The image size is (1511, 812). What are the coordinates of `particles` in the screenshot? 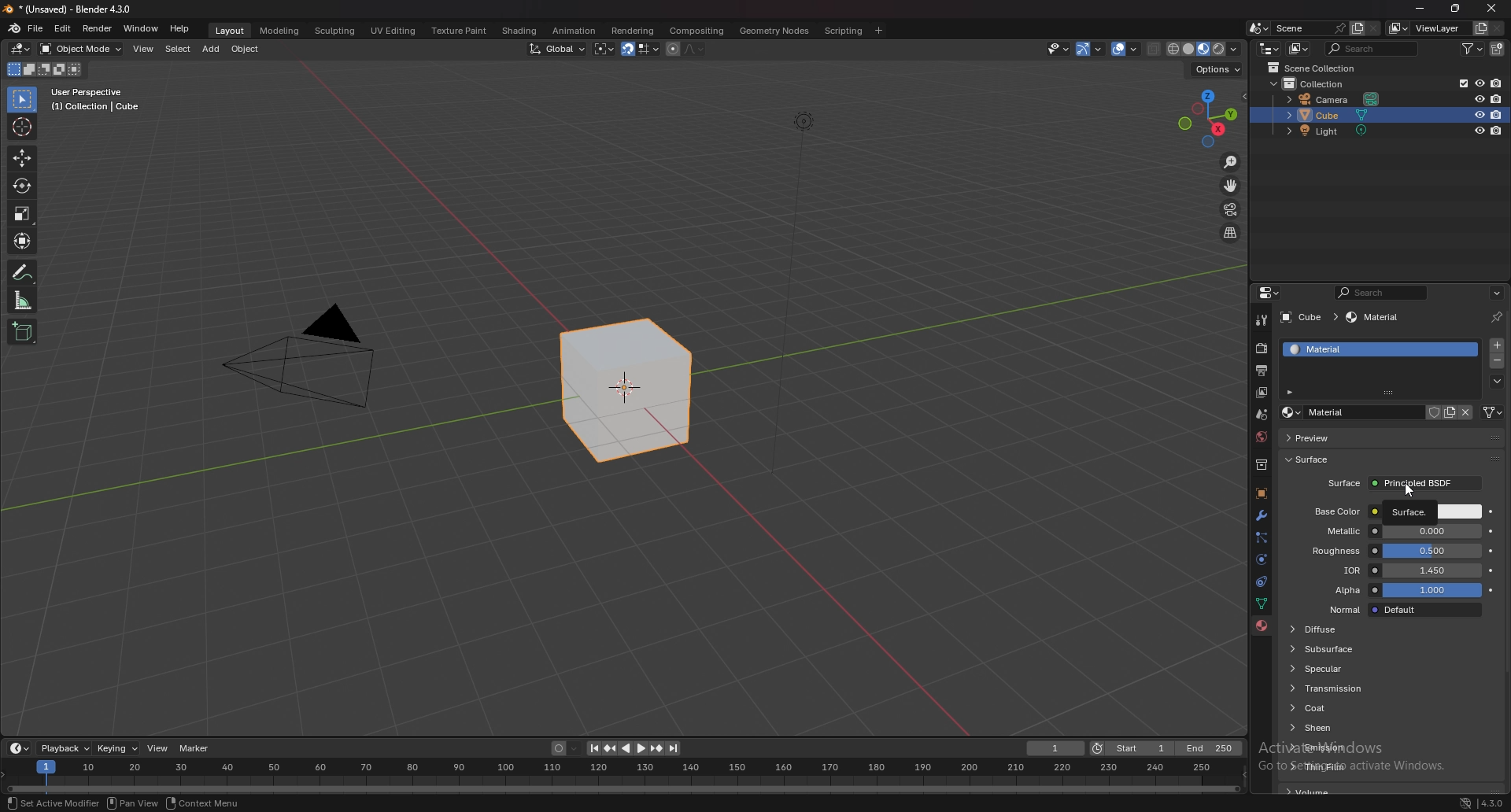 It's located at (1262, 537).